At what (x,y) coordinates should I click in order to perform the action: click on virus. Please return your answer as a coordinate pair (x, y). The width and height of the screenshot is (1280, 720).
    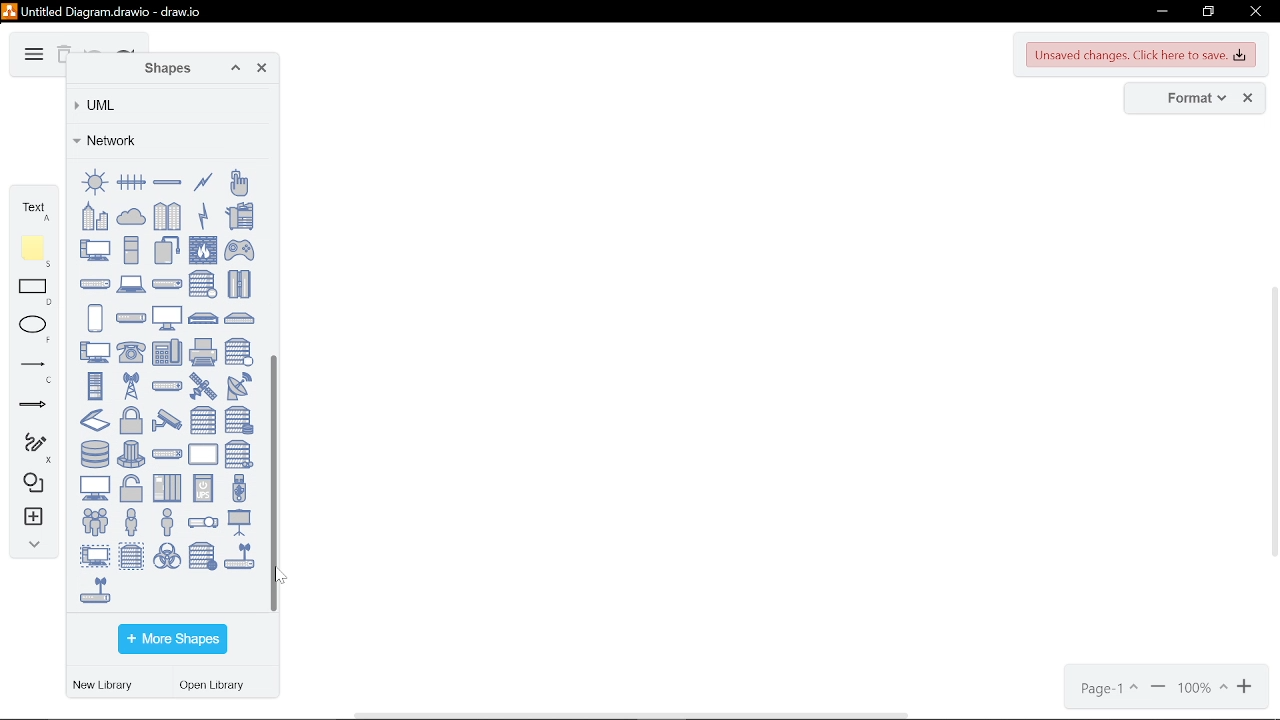
    Looking at the image, I should click on (167, 555).